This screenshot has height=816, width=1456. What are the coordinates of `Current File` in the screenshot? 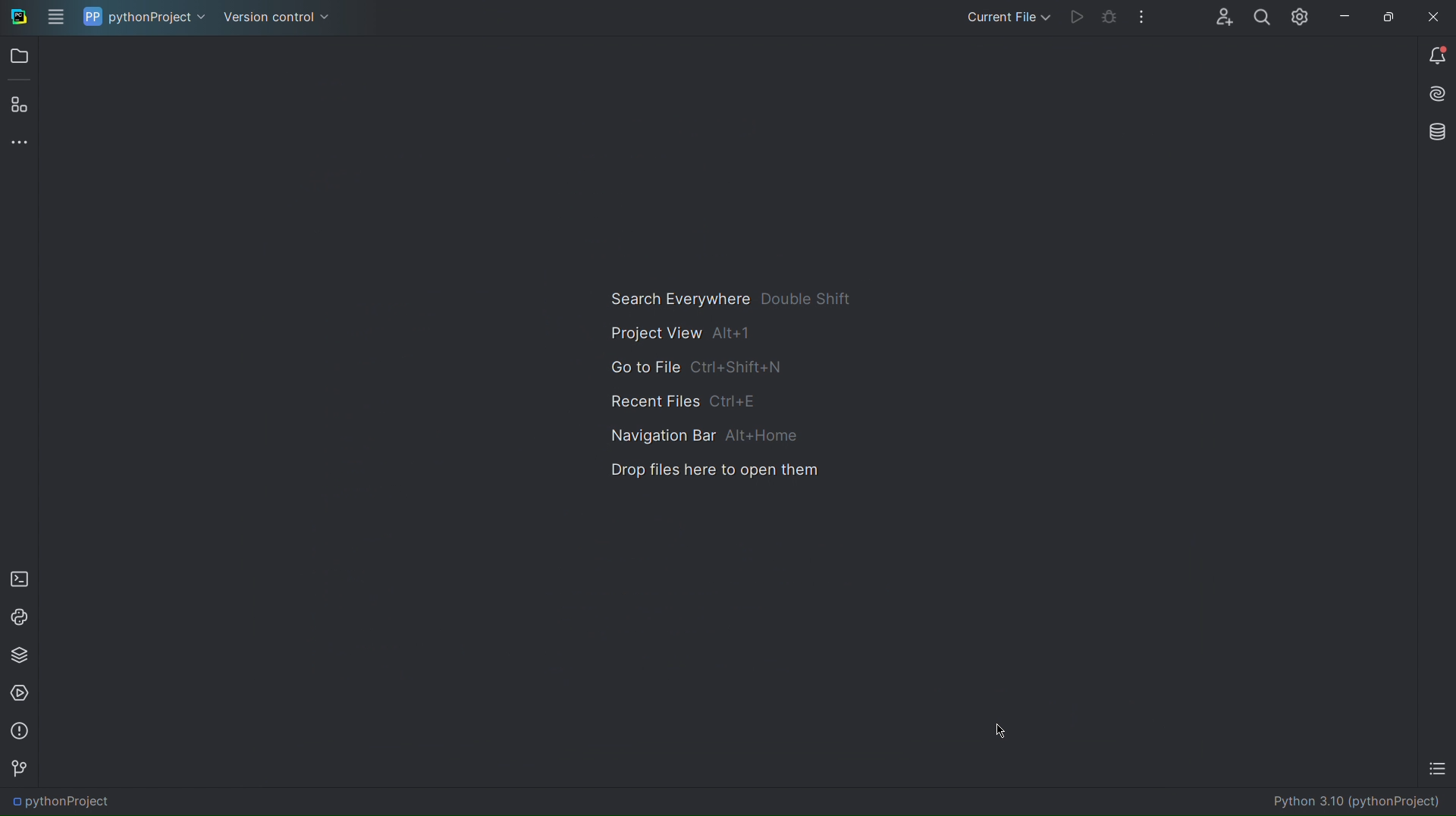 It's located at (1006, 17).